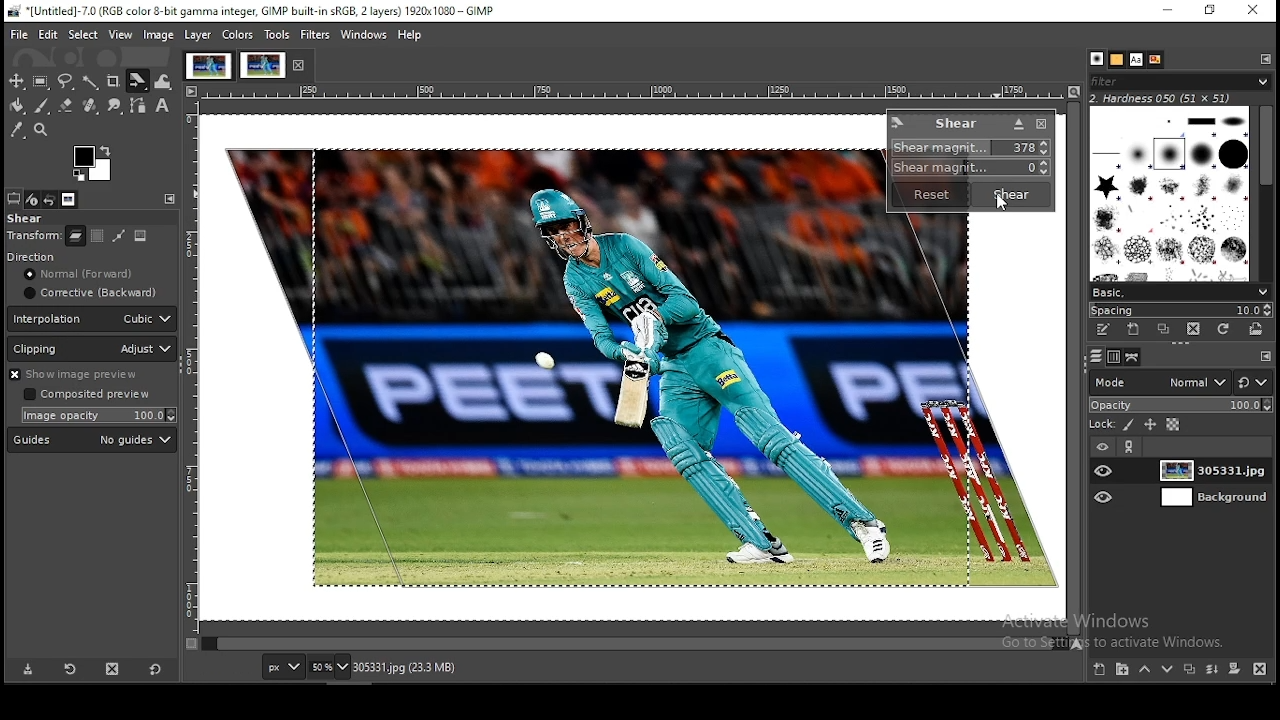 The image size is (1280, 720). I want to click on duplicate this brush, so click(1163, 329).